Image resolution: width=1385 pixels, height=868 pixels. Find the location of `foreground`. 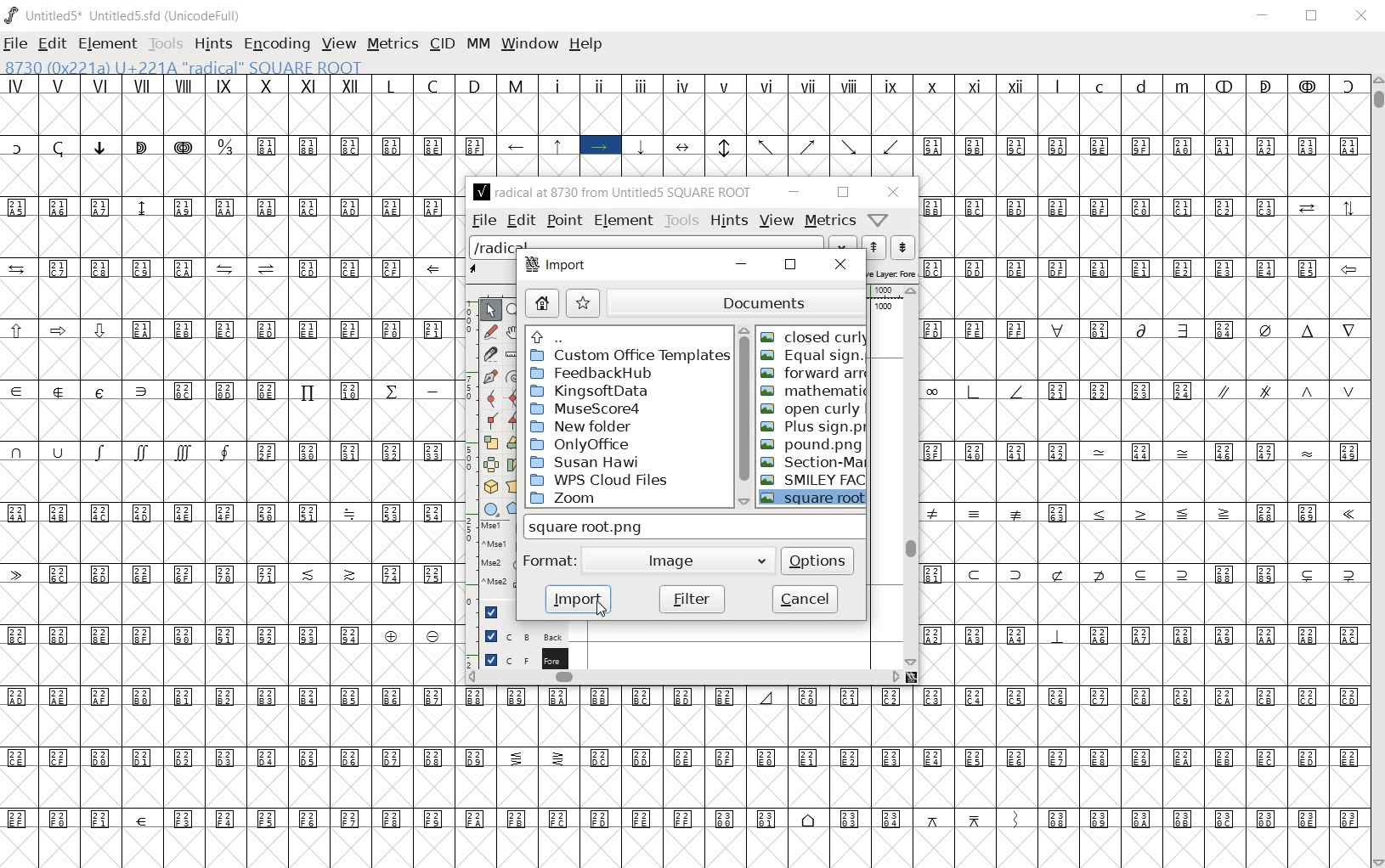

foreground is located at coordinates (516, 658).